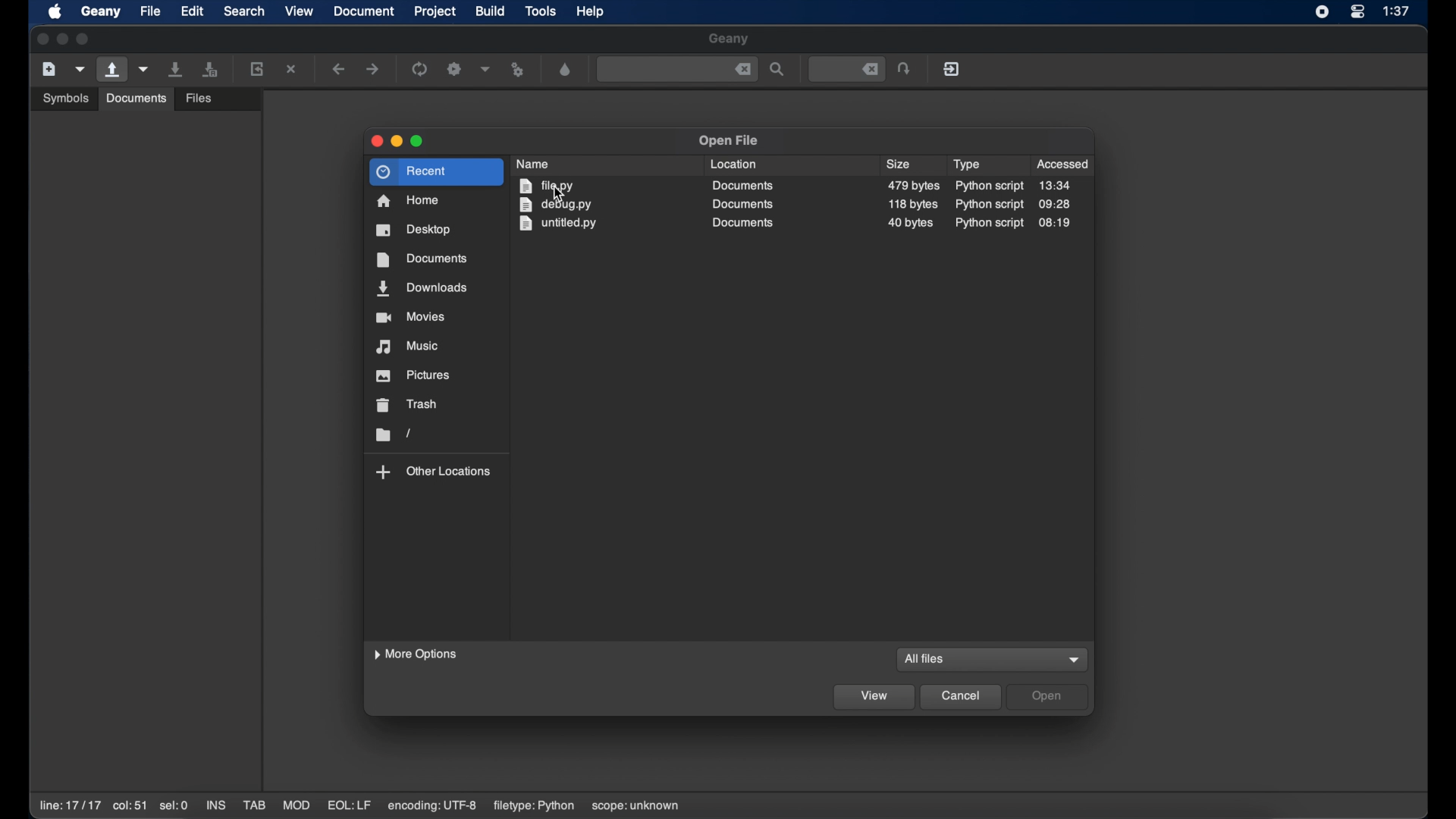 This screenshot has width=1456, height=819. Describe the element at coordinates (174, 805) in the screenshot. I see `sel:0` at that location.